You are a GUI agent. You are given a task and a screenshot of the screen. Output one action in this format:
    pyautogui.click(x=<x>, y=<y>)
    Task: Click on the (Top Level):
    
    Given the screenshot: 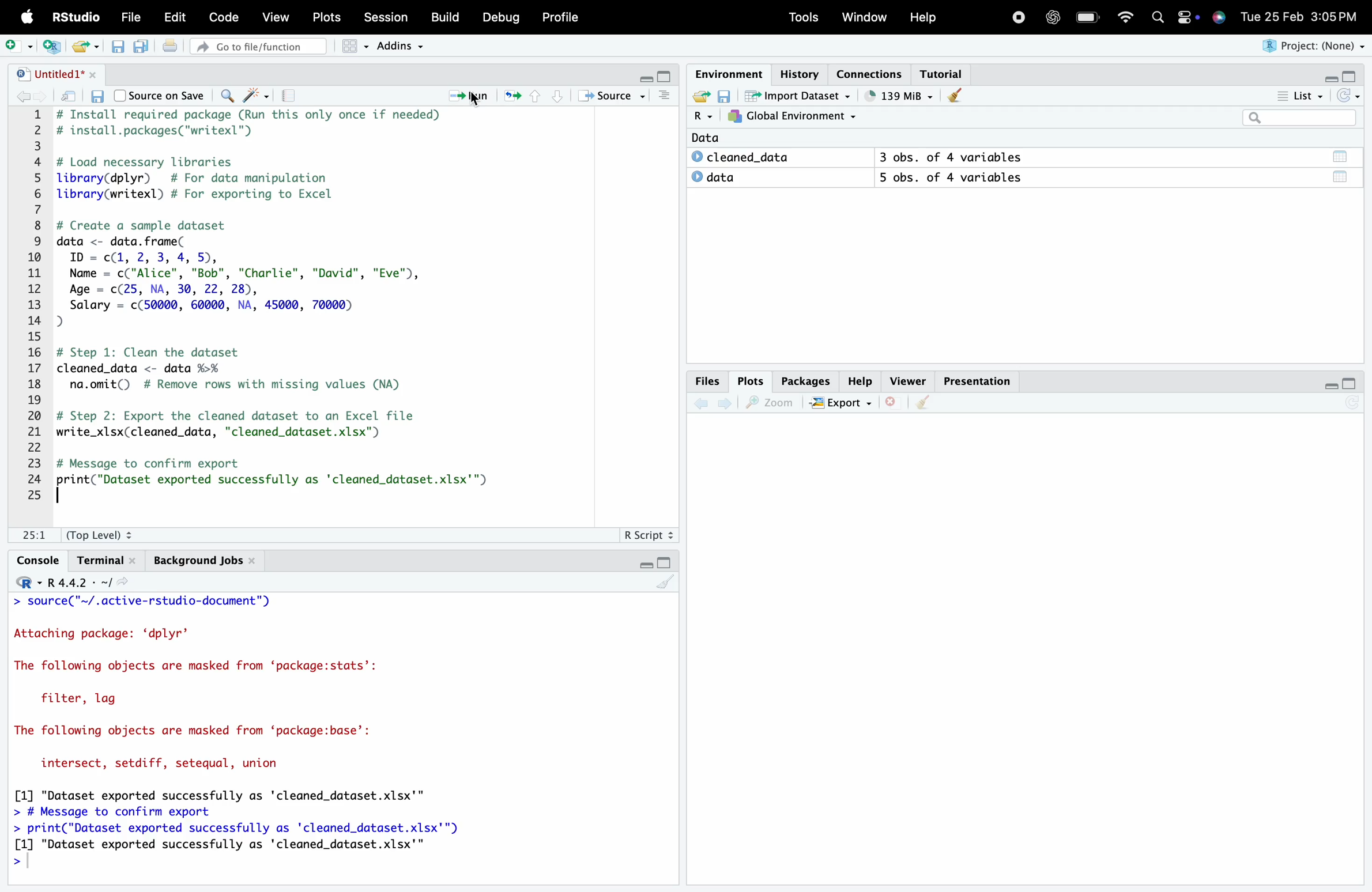 What is the action you would take?
    pyautogui.click(x=100, y=532)
    